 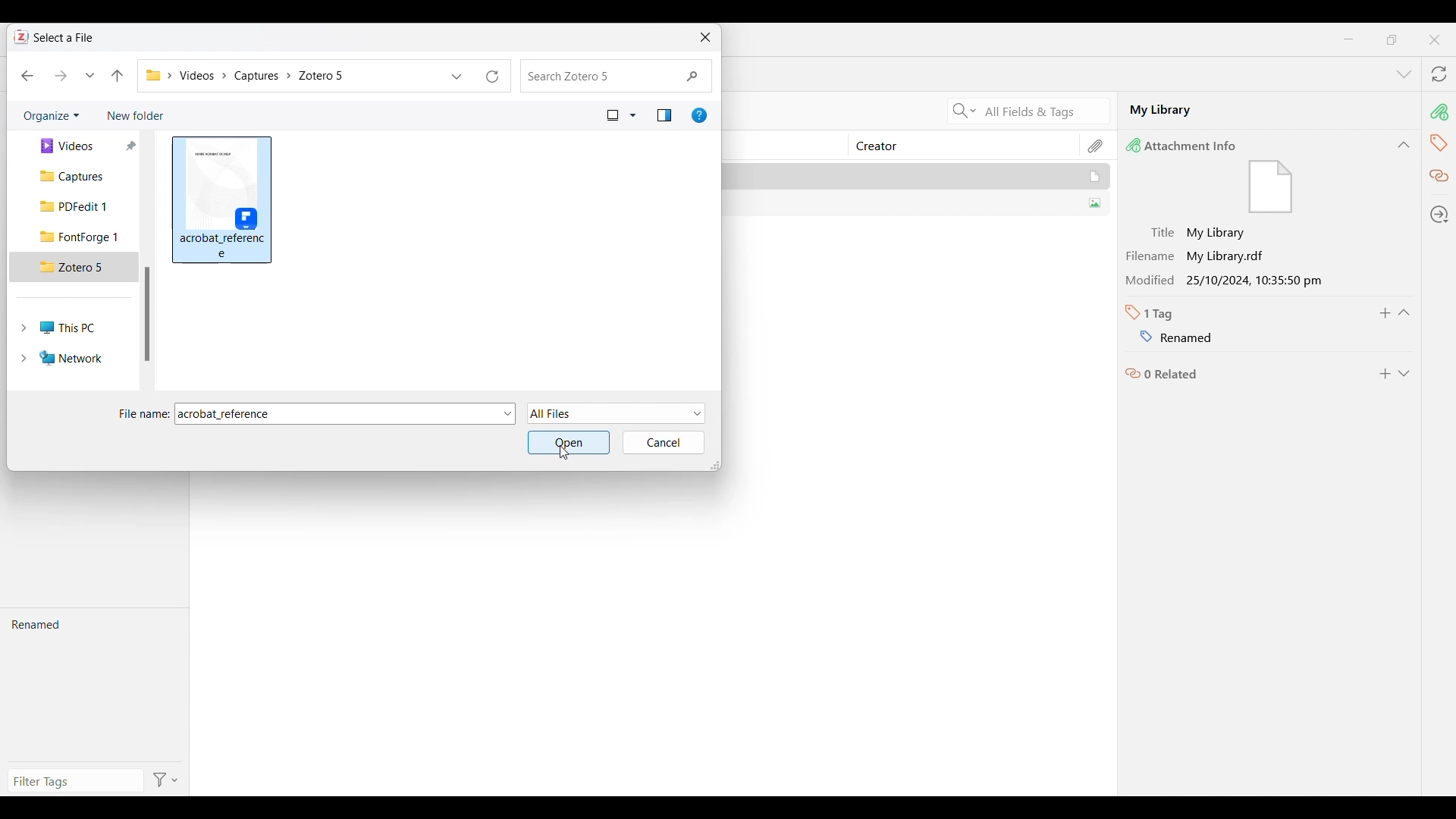 I want to click on Add, so click(x=1385, y=313).